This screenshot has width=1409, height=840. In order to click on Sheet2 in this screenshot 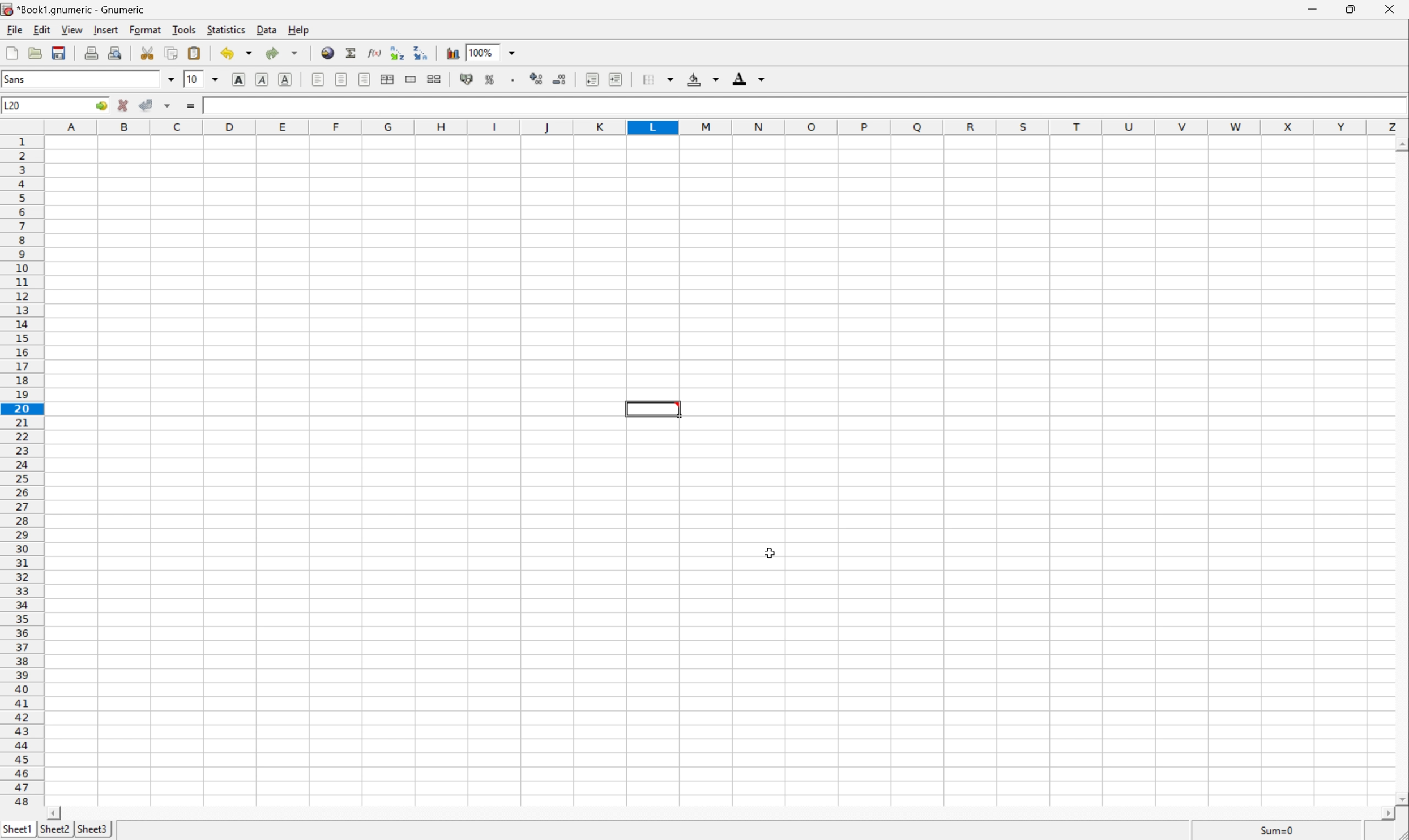, I will do `click(90, 830)`.